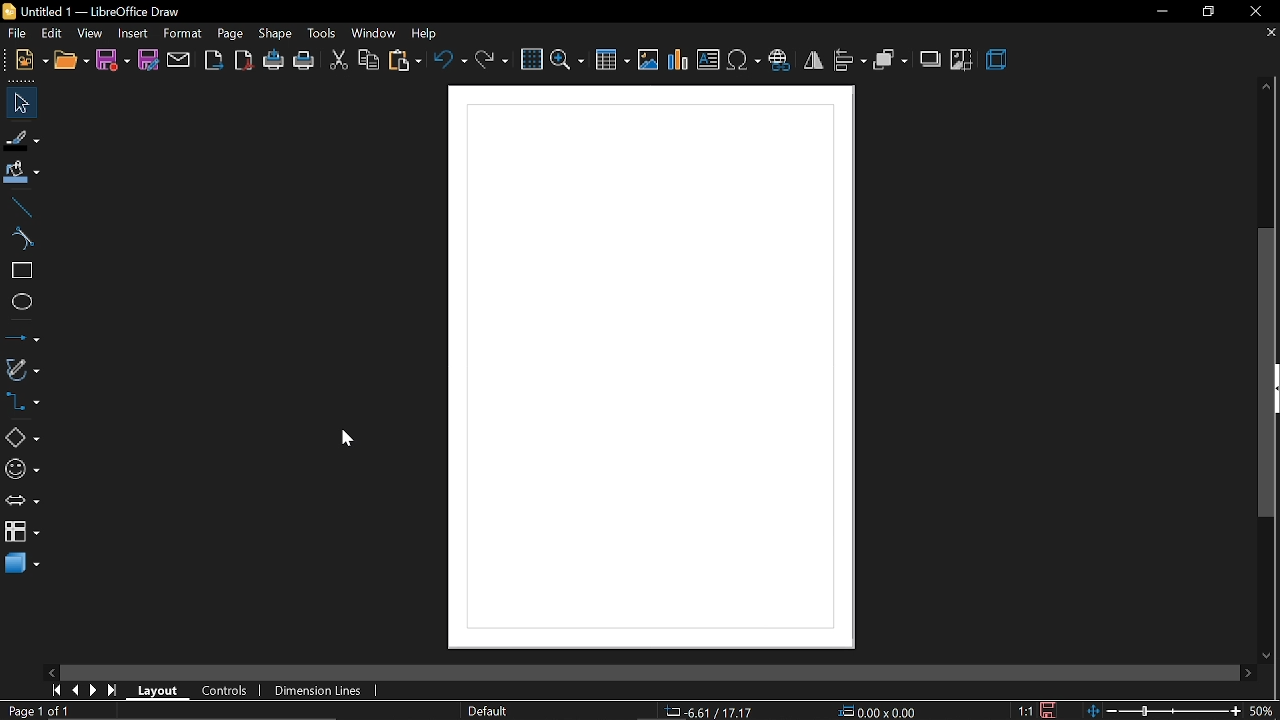 The width and height of the screenshot is (1280, 720). Describe the element at coordinates (321, 33) in the screenshot. I see `tools` at that location.